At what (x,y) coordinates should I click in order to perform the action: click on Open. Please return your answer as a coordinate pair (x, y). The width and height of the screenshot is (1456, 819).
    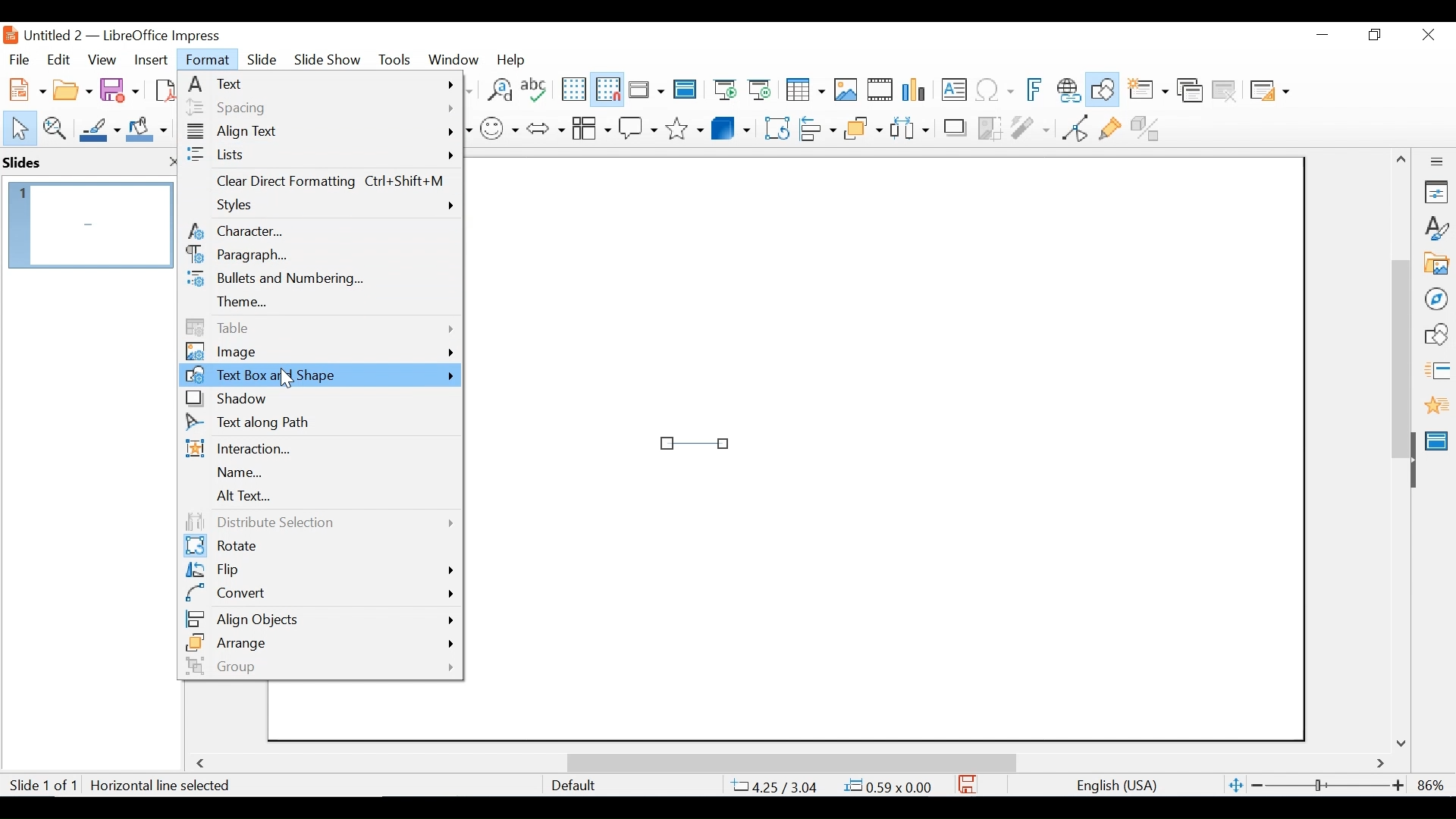
    Looking at the image, I should click on (72, 88).